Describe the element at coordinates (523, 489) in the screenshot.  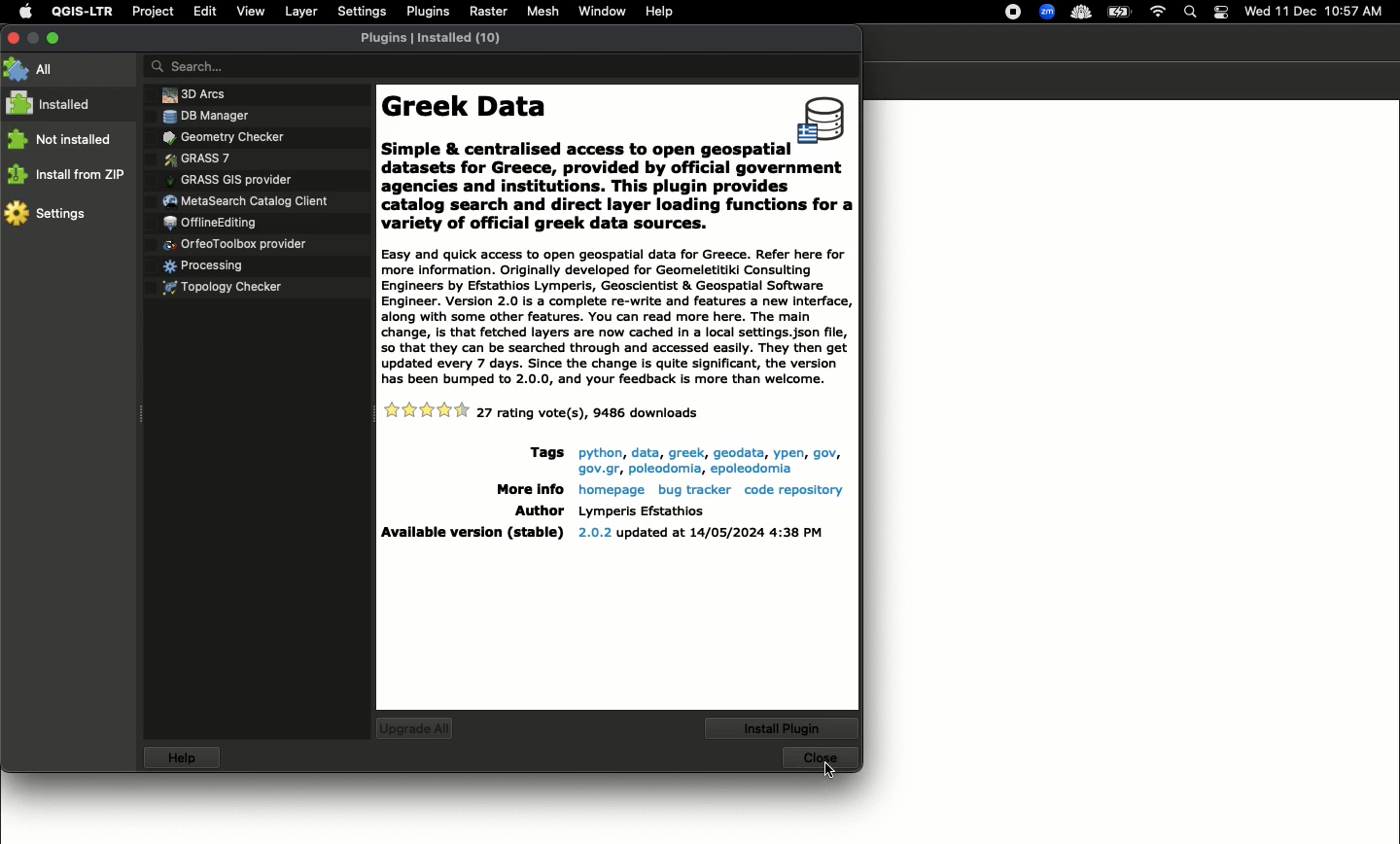
I see `More info` at that location.